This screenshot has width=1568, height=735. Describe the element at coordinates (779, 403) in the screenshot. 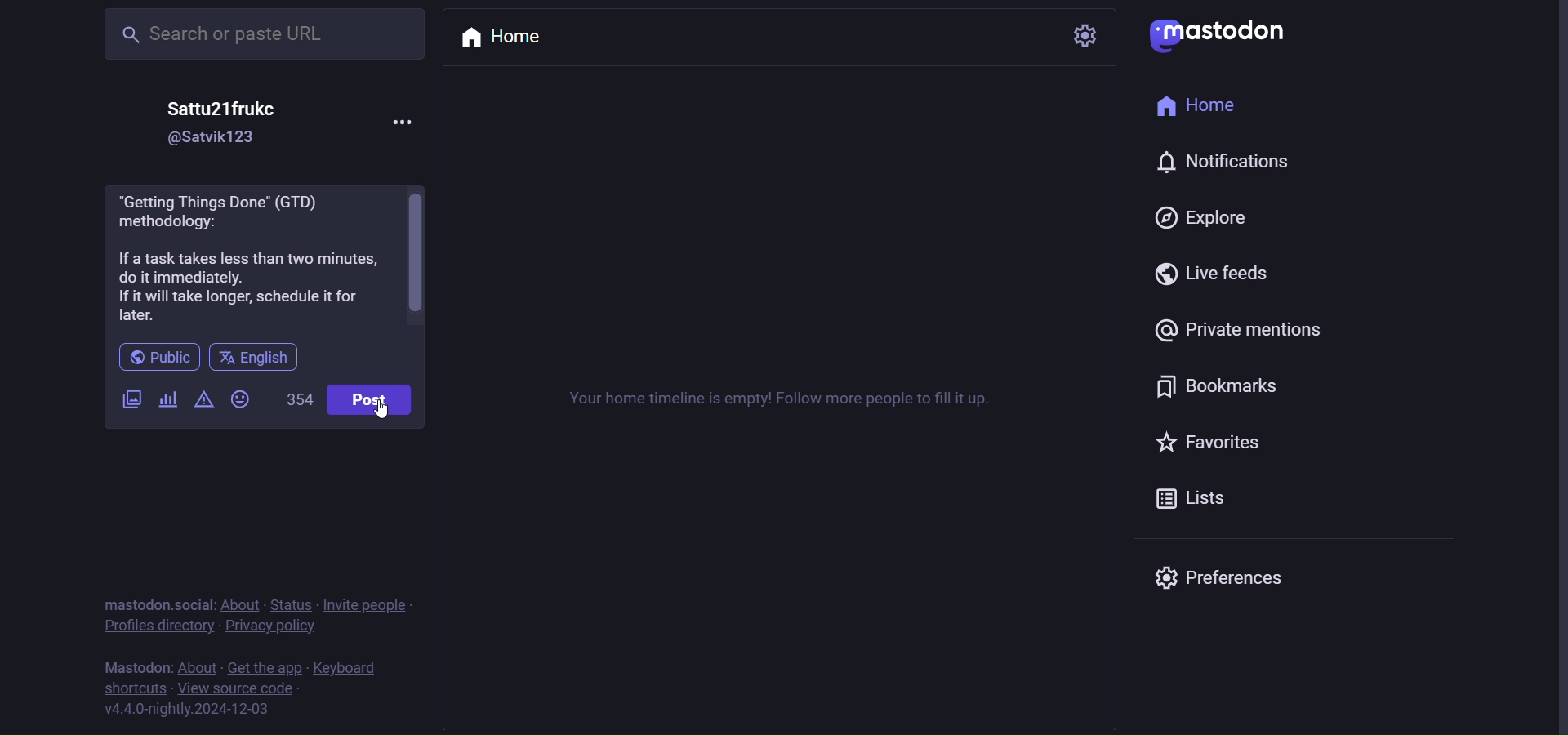

I see `text` at that location.